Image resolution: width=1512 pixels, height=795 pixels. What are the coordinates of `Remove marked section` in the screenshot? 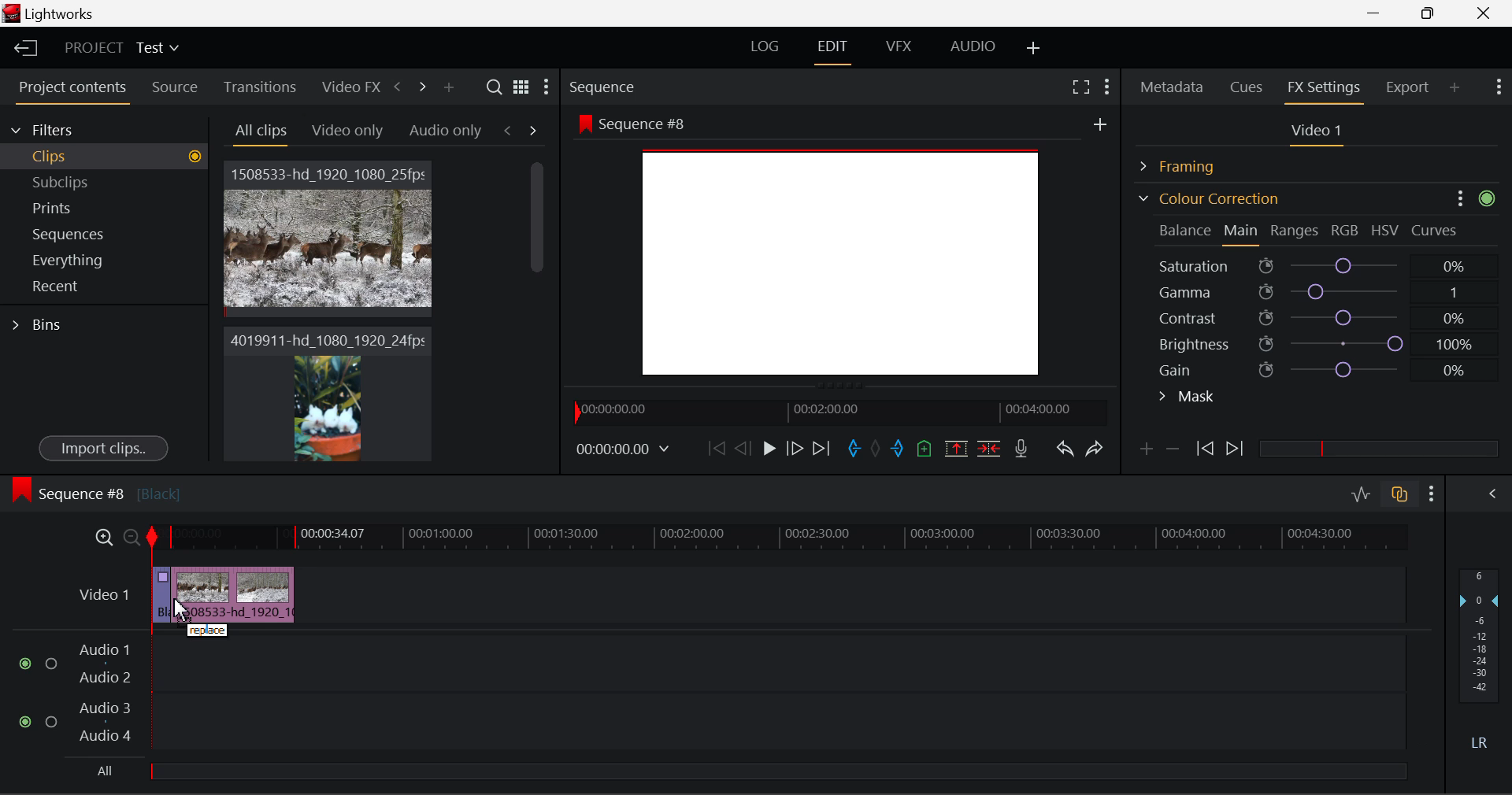 It's located at (955, 447).